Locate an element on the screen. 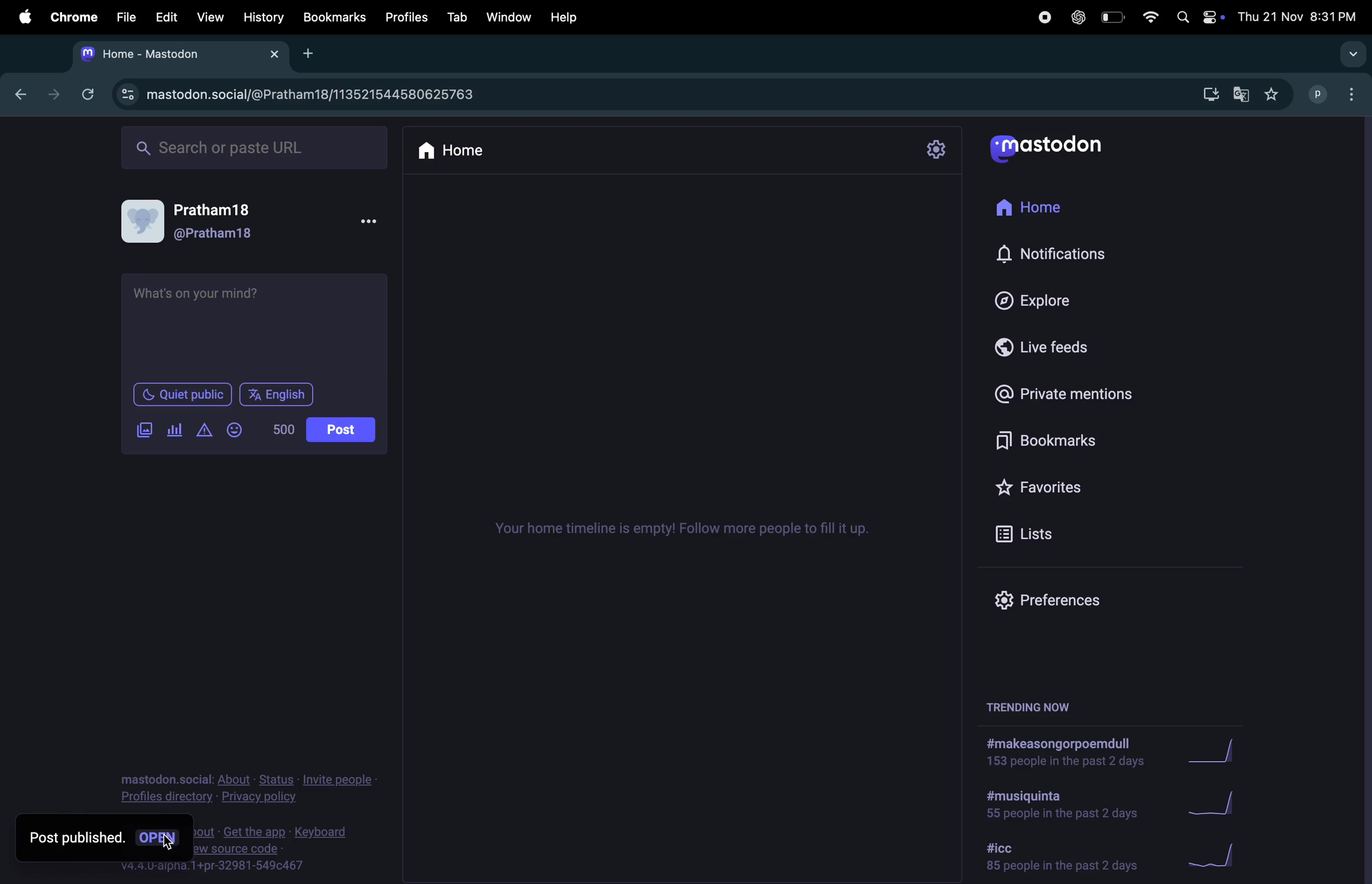 The height and width of the screenshot is (884, 1372). close is located at coordinates (273, 55).